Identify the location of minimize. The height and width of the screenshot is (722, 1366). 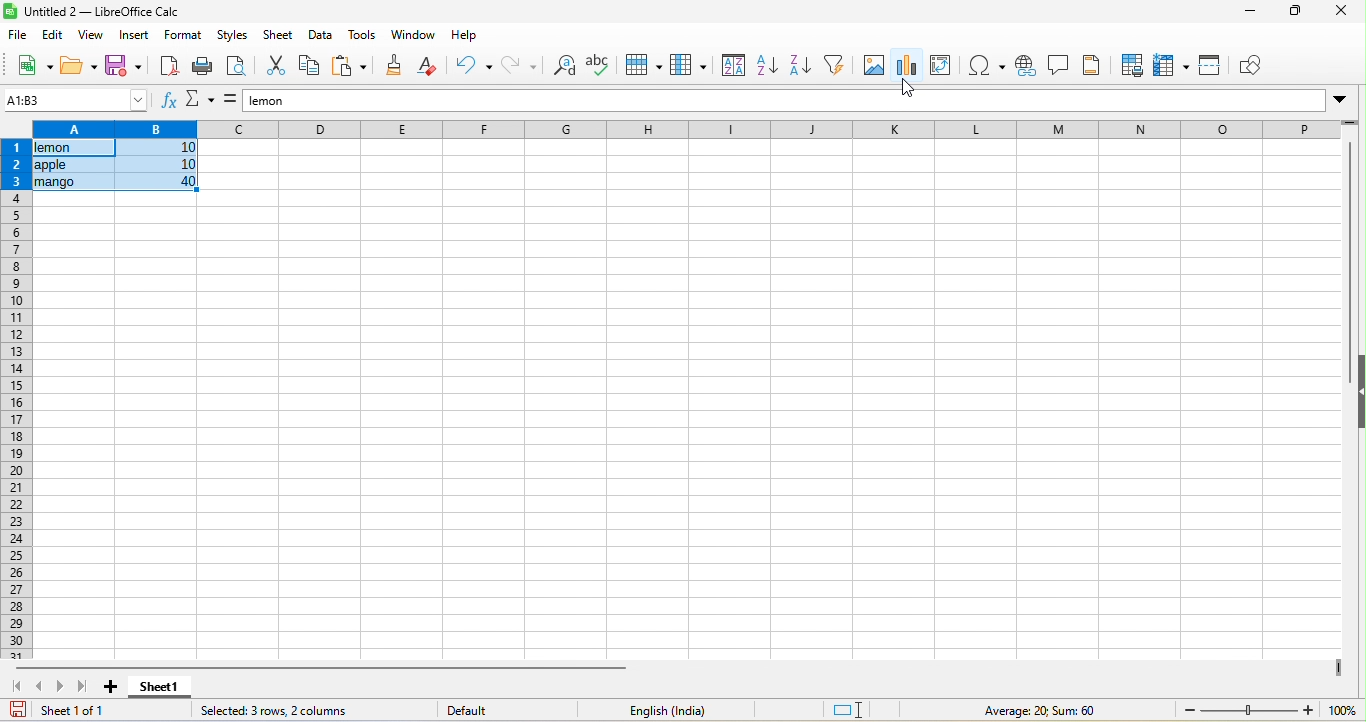
(1247, 12).